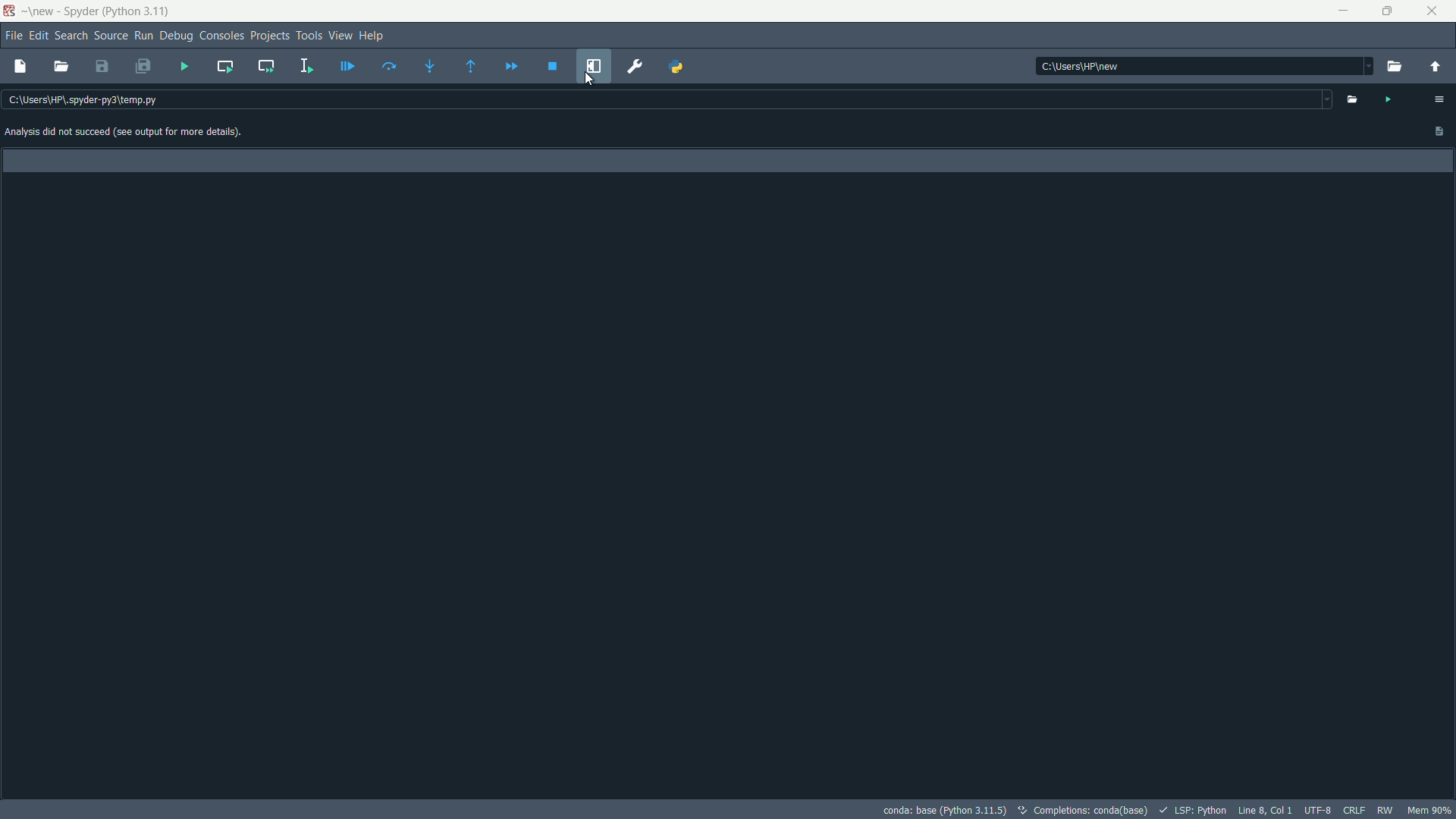 This screenshot has height=819, width=1456. What do you see at coordinates (1389, 100) in the screenshot?
I see `run file` at bounding box center [1389, 100].